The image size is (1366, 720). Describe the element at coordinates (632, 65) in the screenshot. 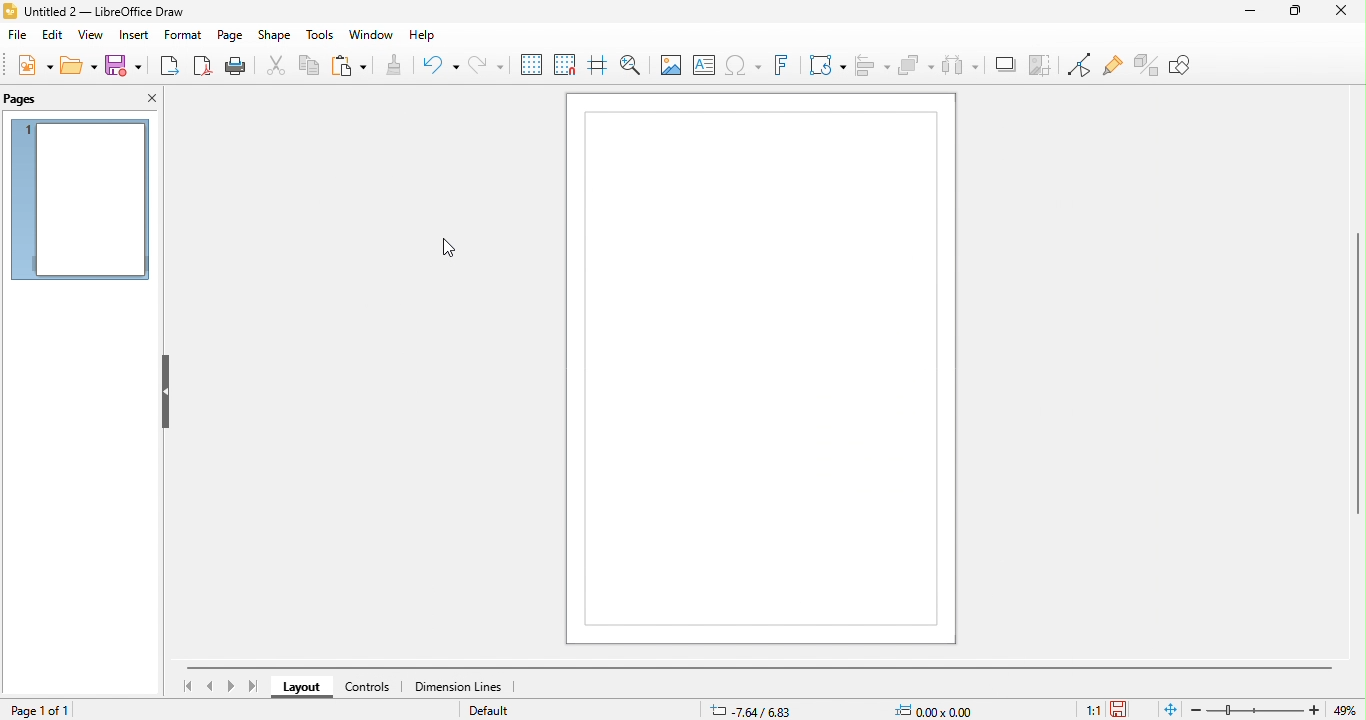

I see `zoom and pan` at that location.